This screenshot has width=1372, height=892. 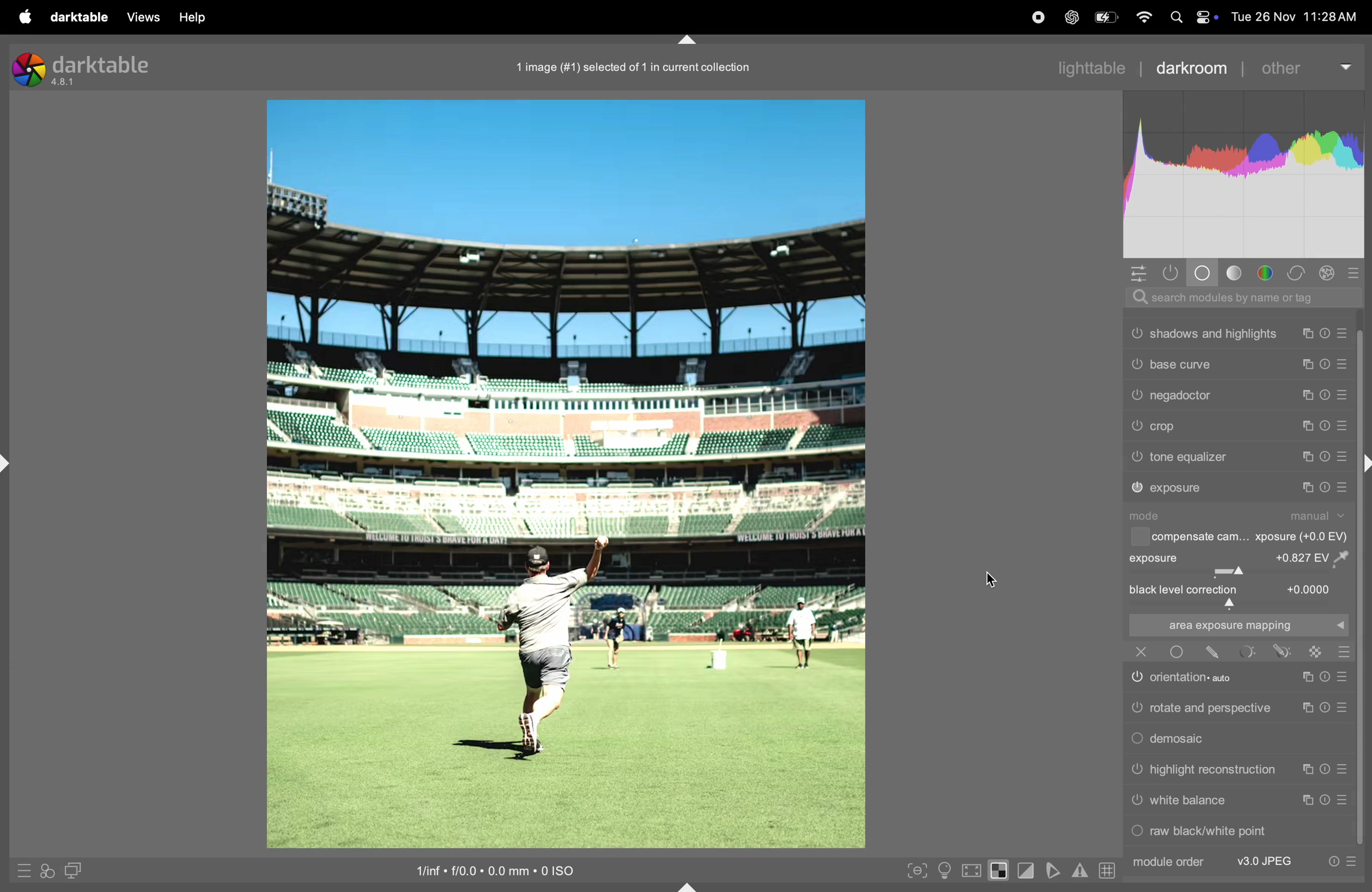 I want to click on toggle clipping indication, so click(x=1028, y=871).